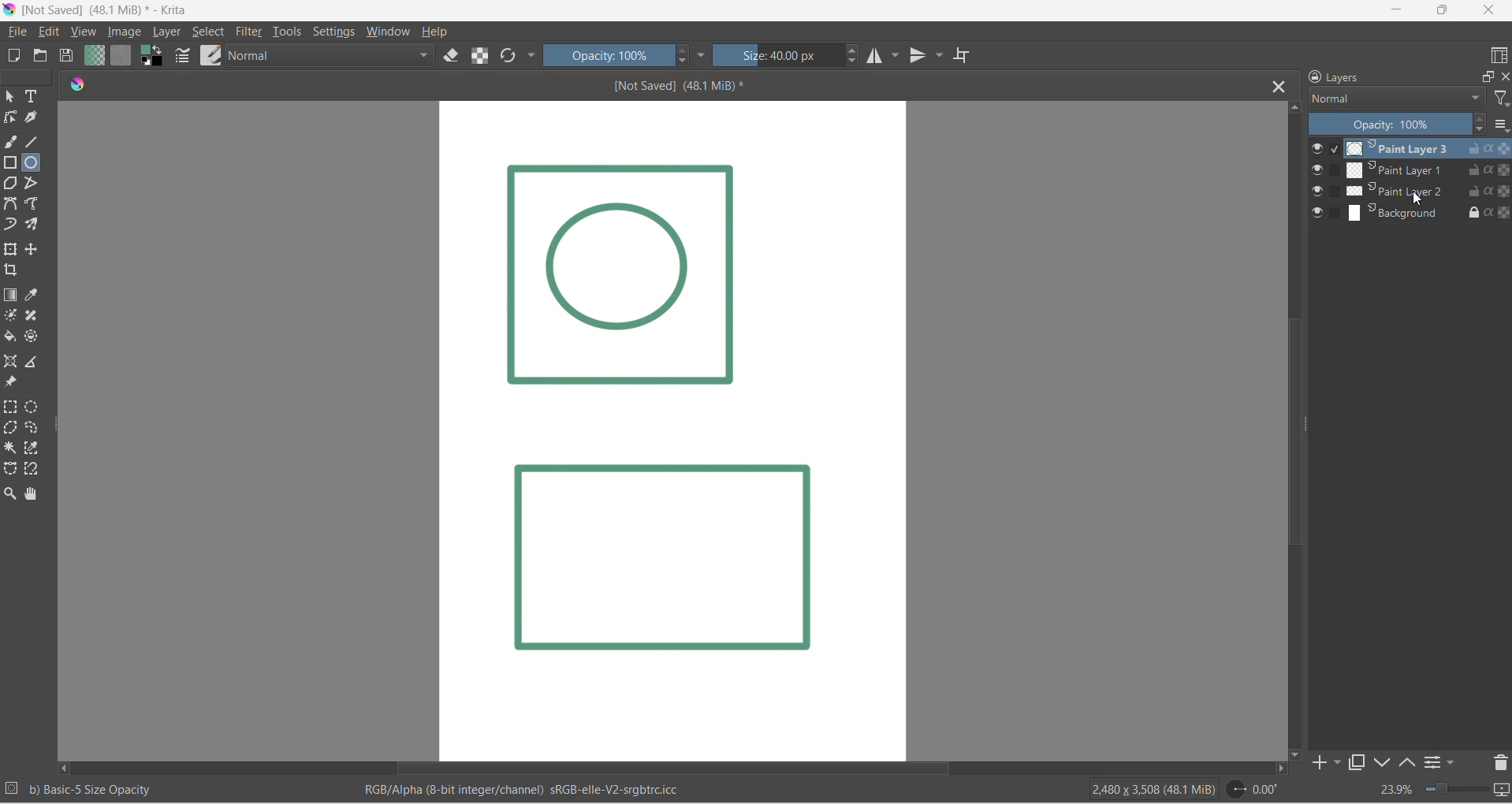 The image size is (1512, 804). I want to click on close tab, so click(1276, 84).